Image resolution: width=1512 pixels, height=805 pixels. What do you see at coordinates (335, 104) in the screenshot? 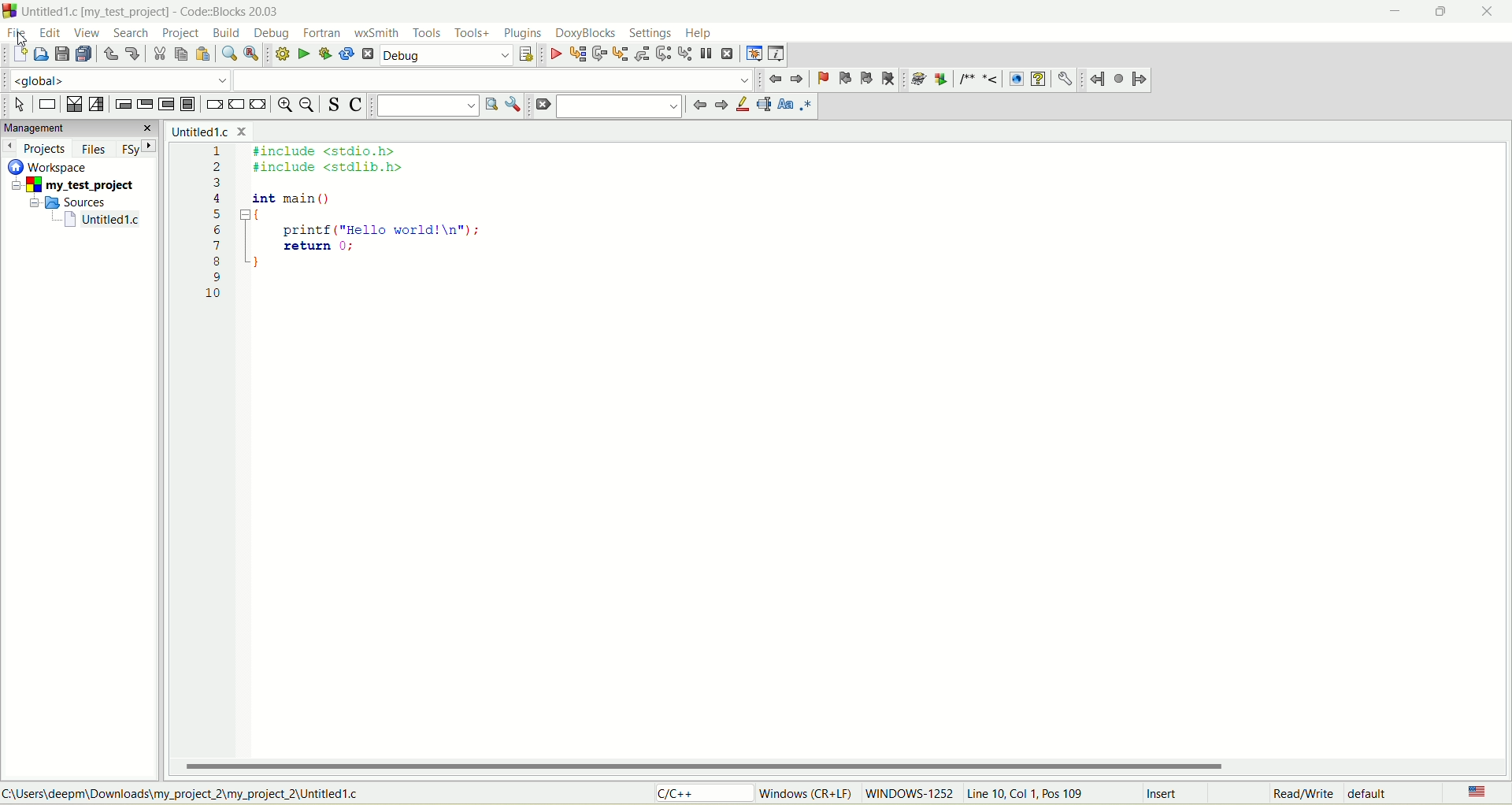
I see `toggle source` at bounding box center [335, 104].